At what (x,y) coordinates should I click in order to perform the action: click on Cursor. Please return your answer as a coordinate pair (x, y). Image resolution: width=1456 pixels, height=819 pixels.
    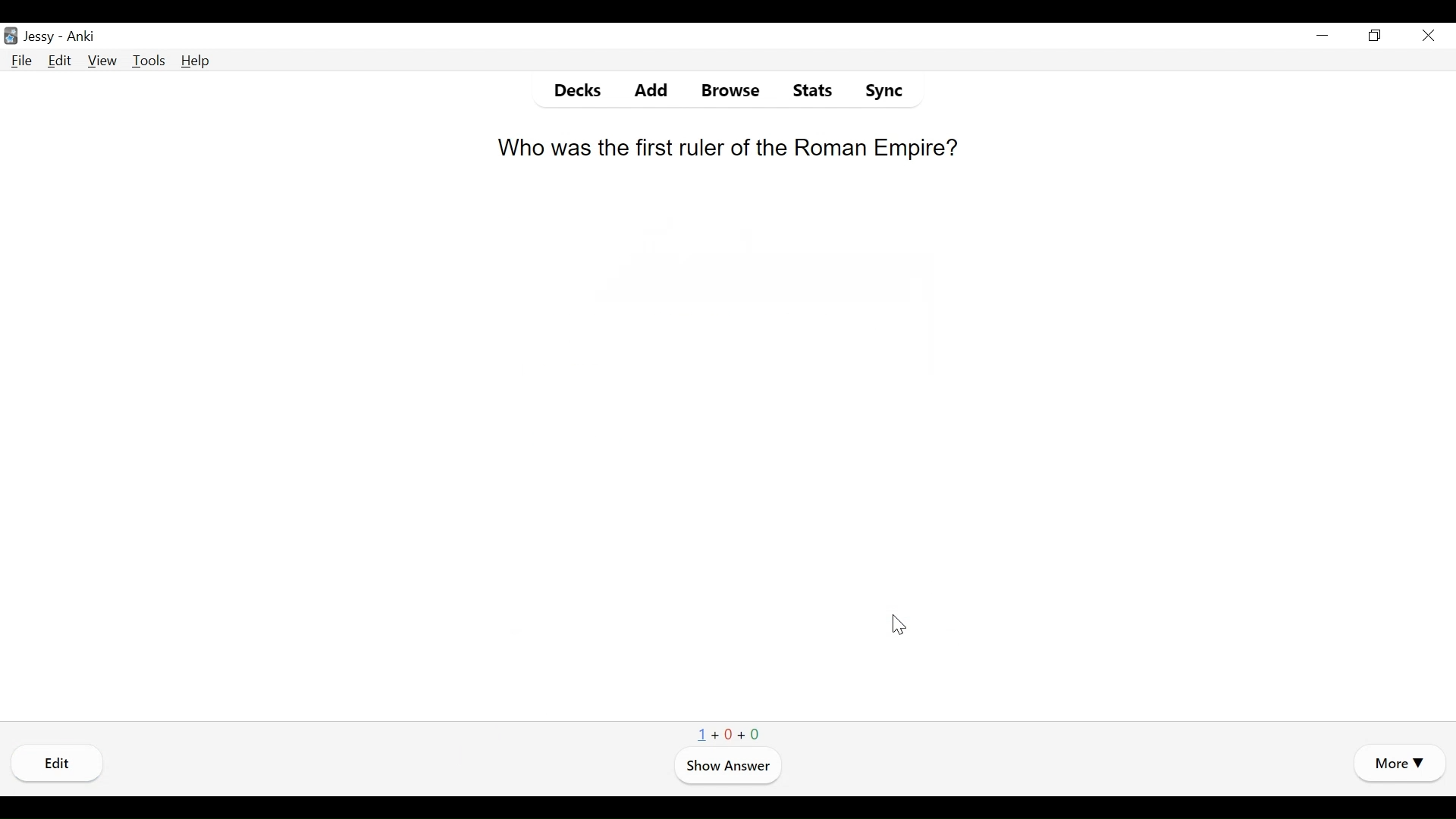
    Looking at the image, I should click on (901, 626).